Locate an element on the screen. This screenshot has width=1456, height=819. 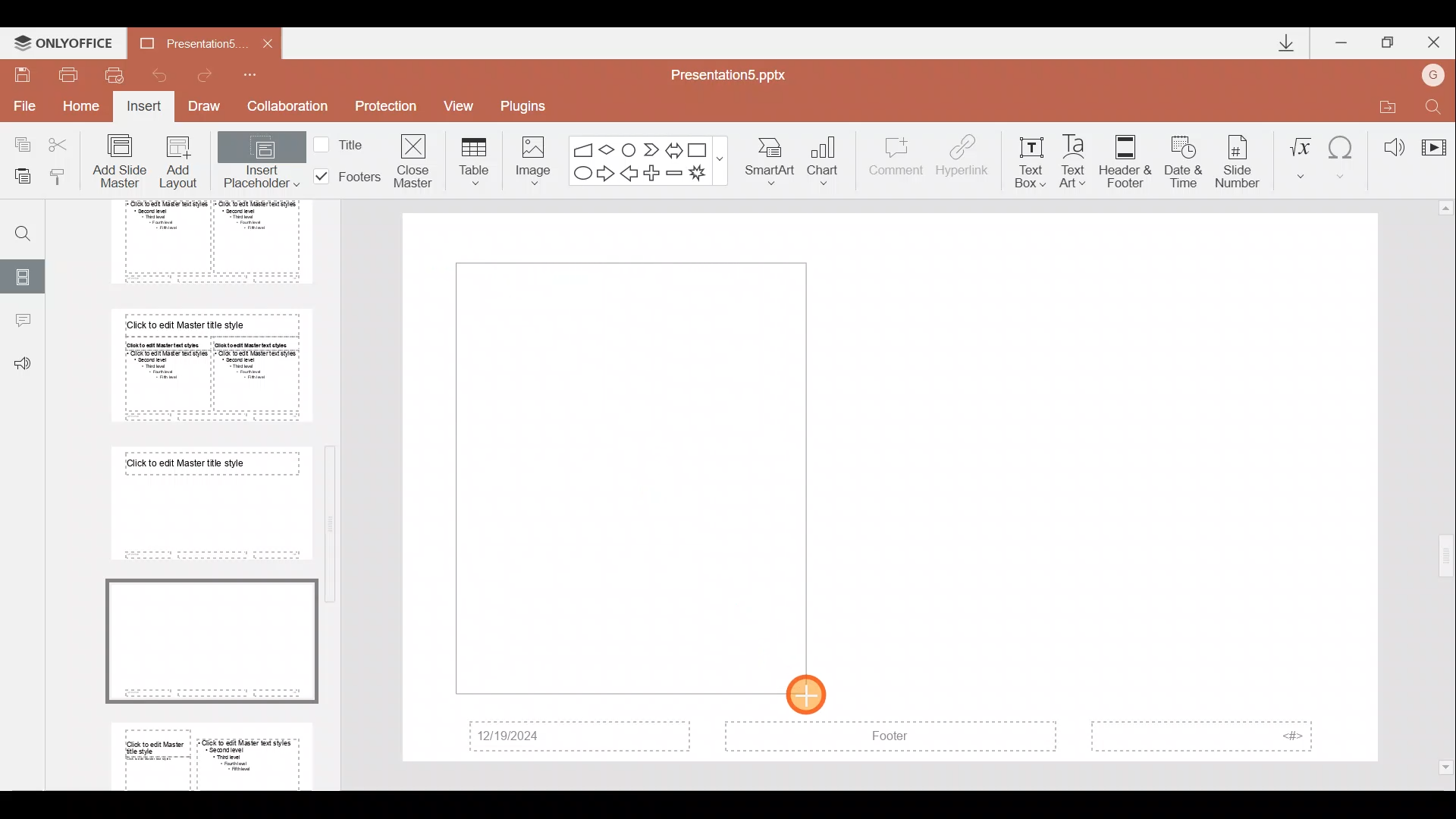
Title is located at coordinates (343, 143).